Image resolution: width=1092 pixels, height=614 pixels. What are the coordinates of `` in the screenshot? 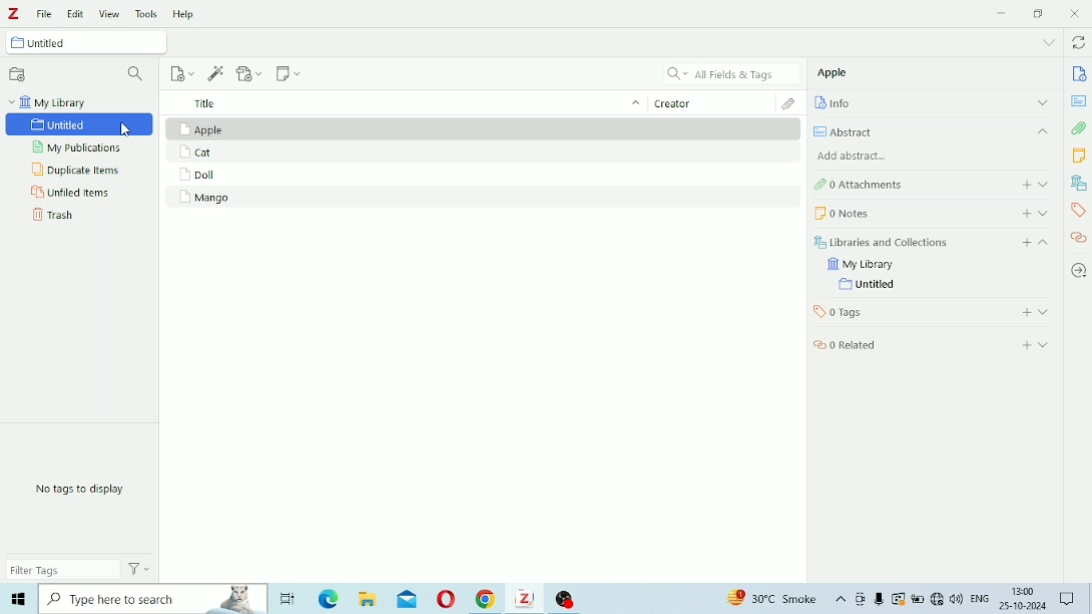 It's located at (978, 598).